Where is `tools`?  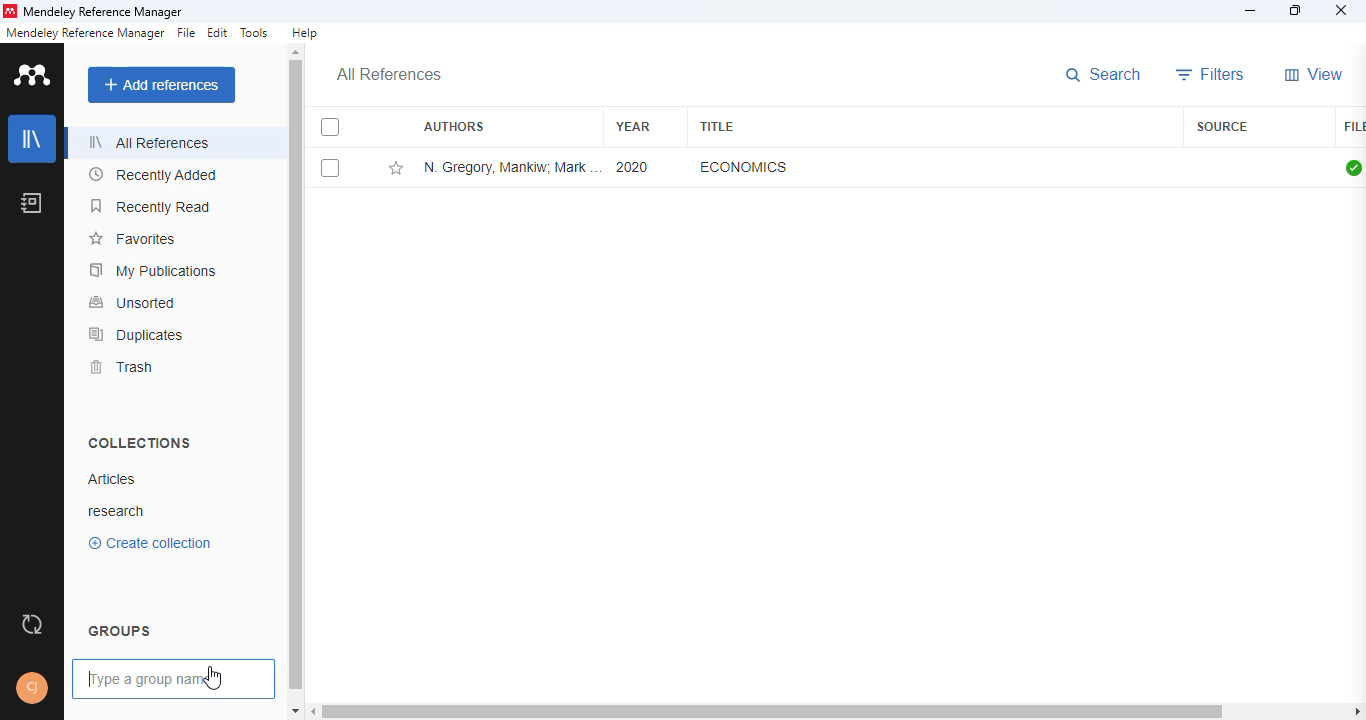 tools is located at coordinates (255, 32).